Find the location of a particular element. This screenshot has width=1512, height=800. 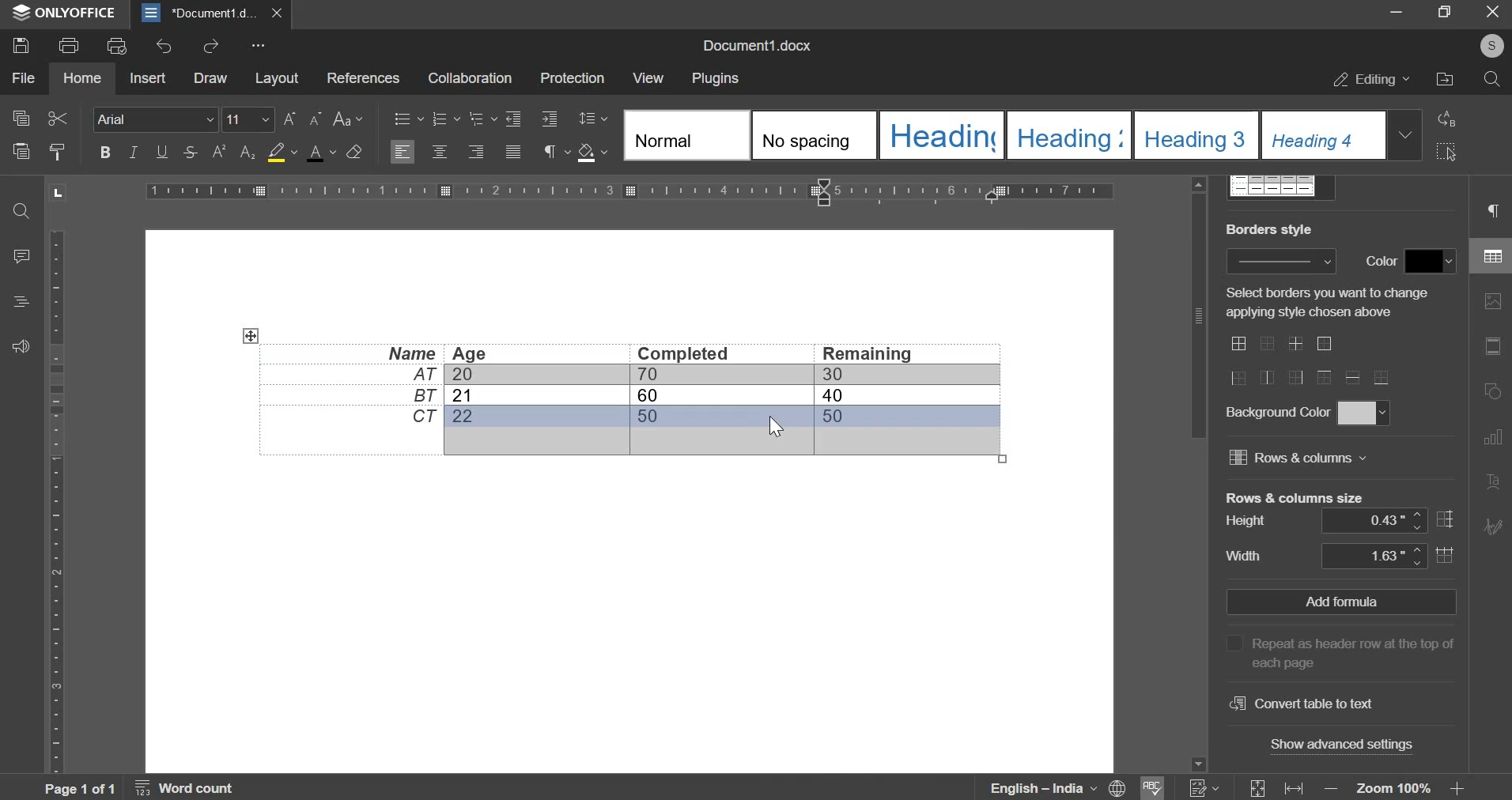

italic is located at coordinates (131, 150).